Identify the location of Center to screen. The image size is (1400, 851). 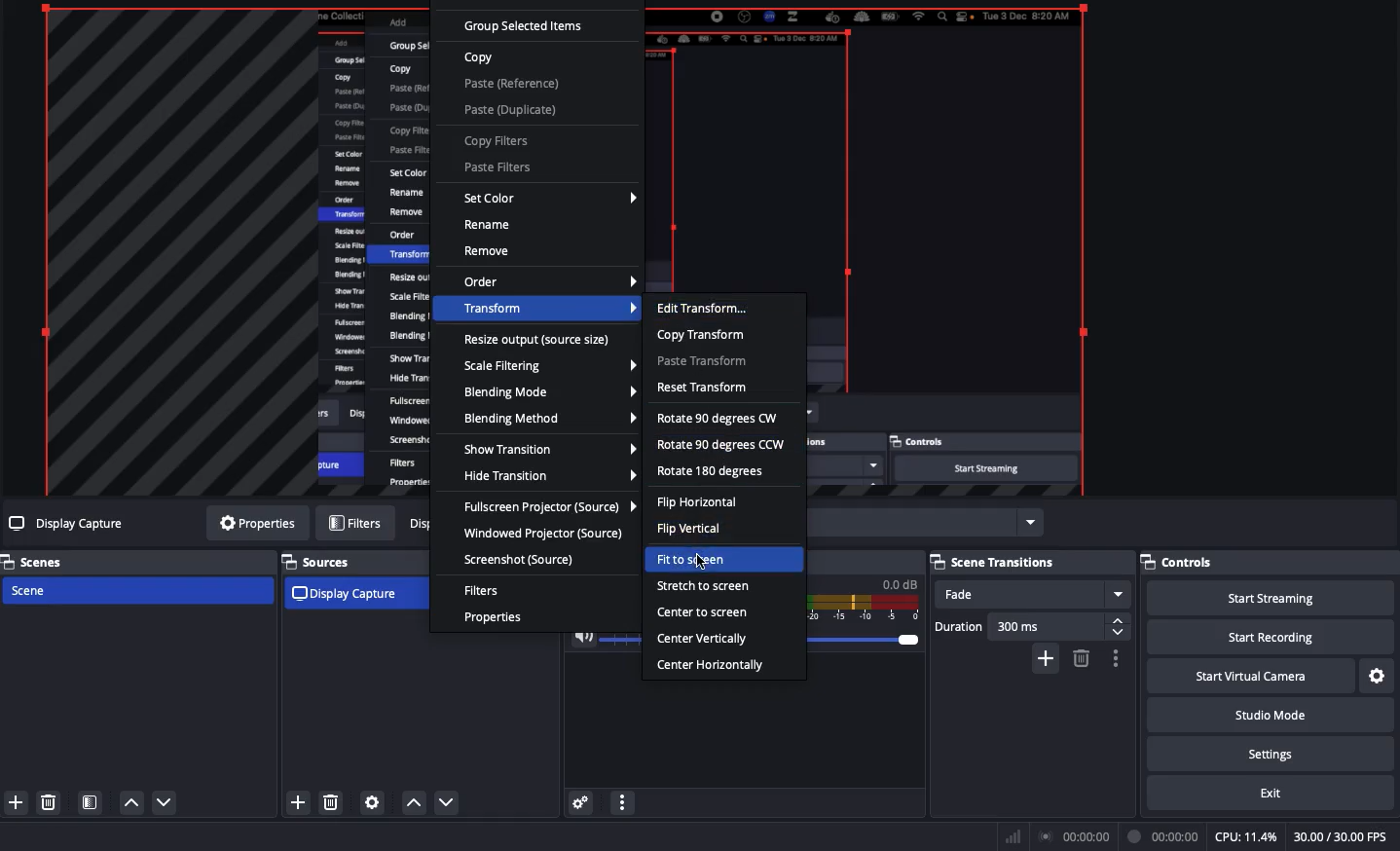
(704, 611).